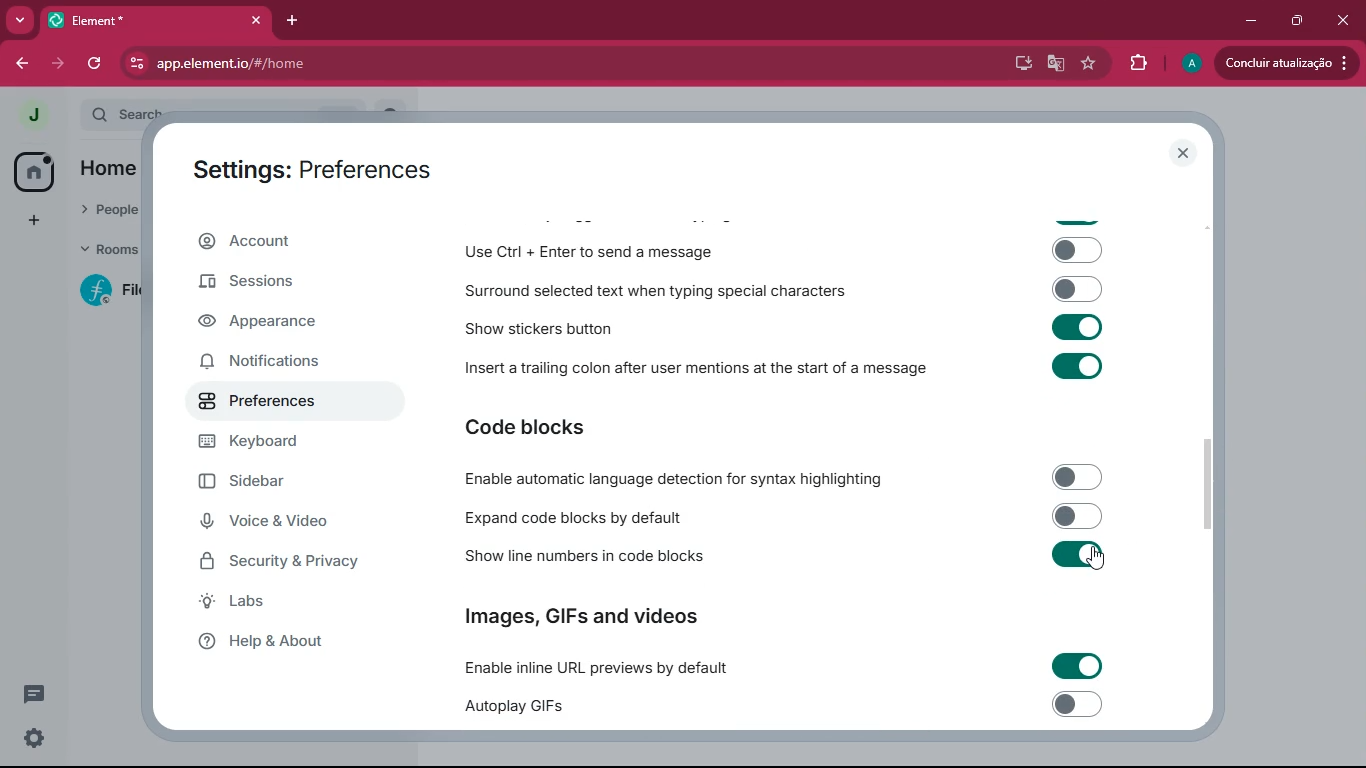 This screenshot has width=1366, height=768. What do you see at coordinates (585, 614) in the screenshot?
I see `Images, GIFs and videos` at bounding box center [585, 614].